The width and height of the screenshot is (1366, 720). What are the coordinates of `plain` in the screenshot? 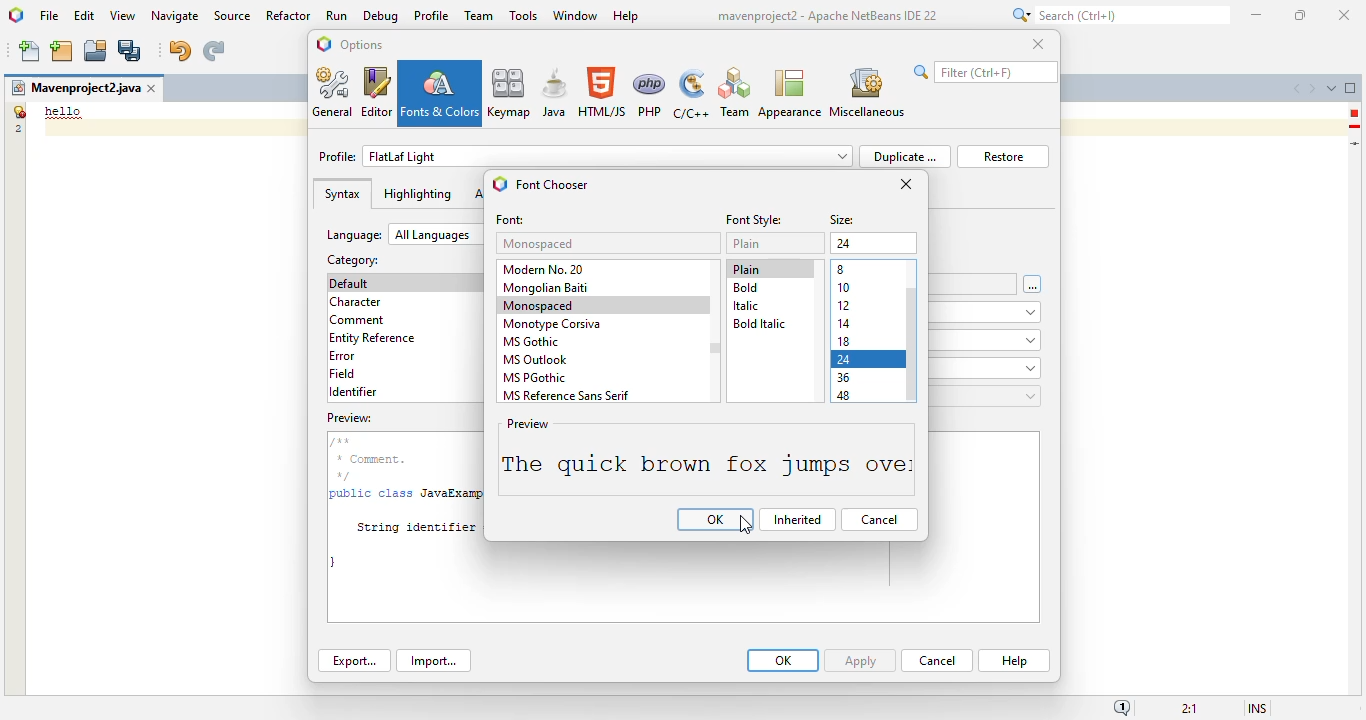 It's located at (747, 243).